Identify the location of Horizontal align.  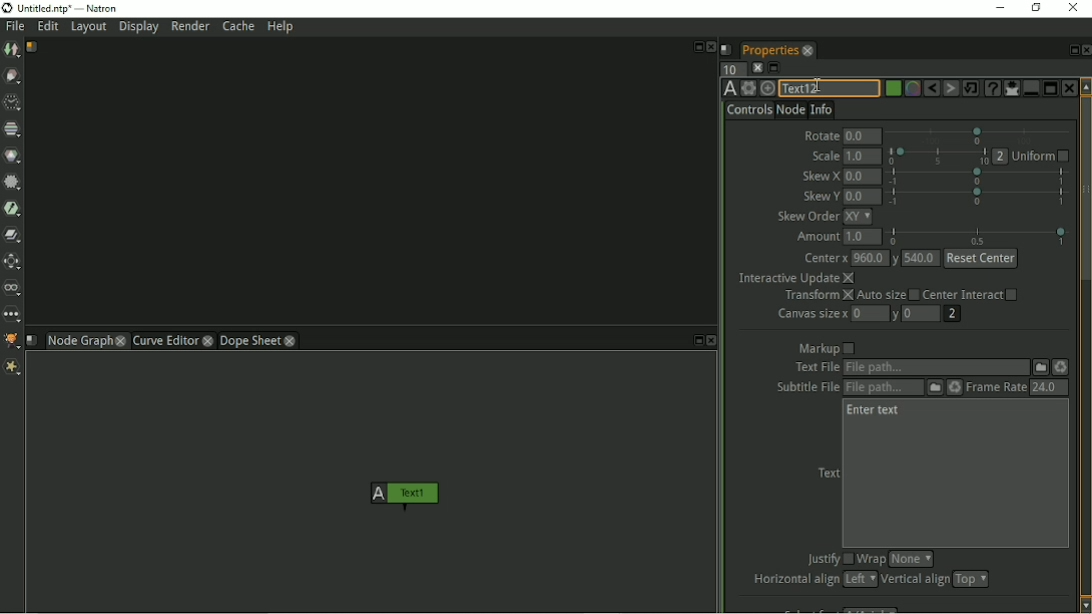
(793, 580).